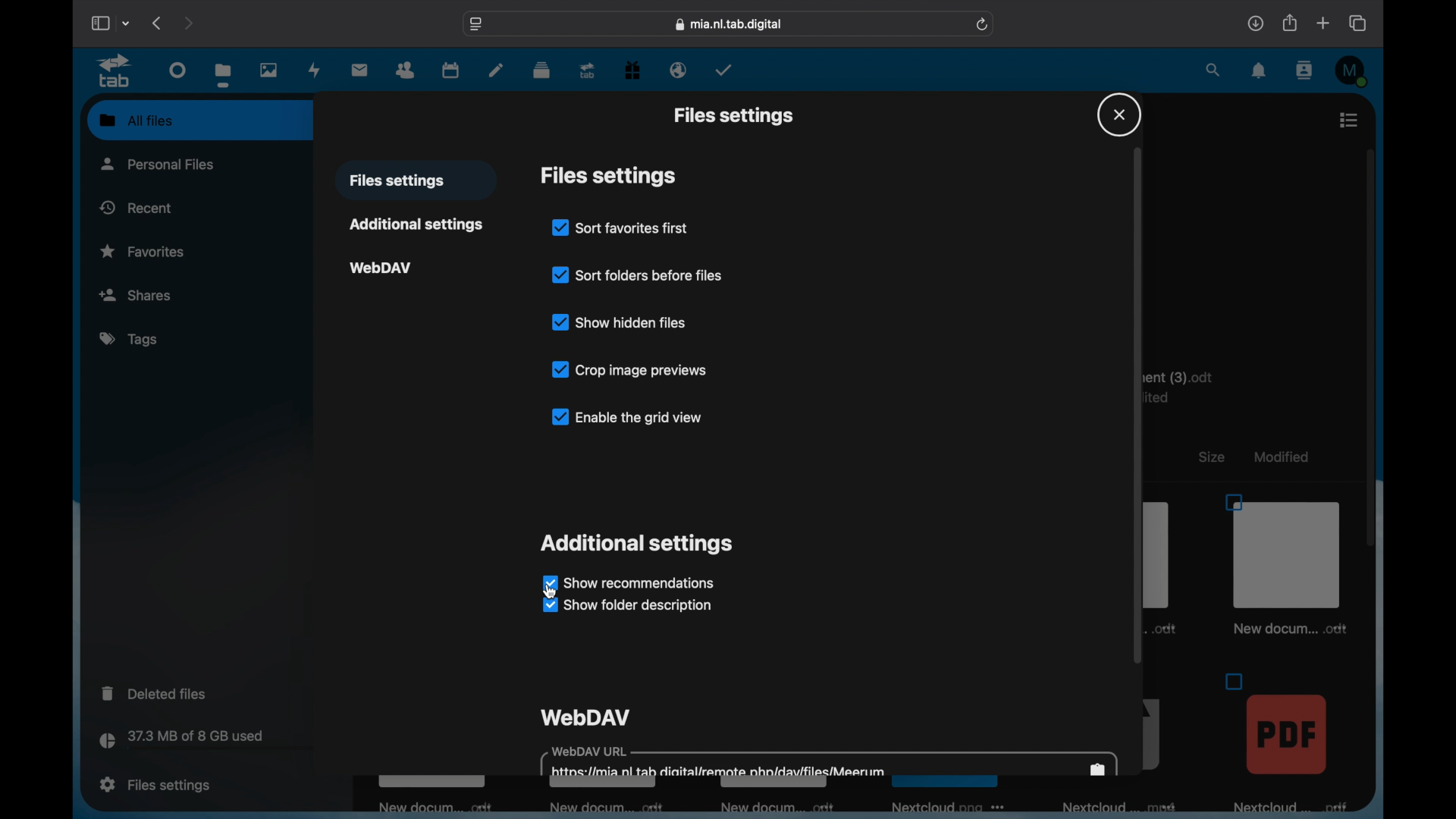 The image size is (1456, 819). I want to click on list view, so click(1348, 119).